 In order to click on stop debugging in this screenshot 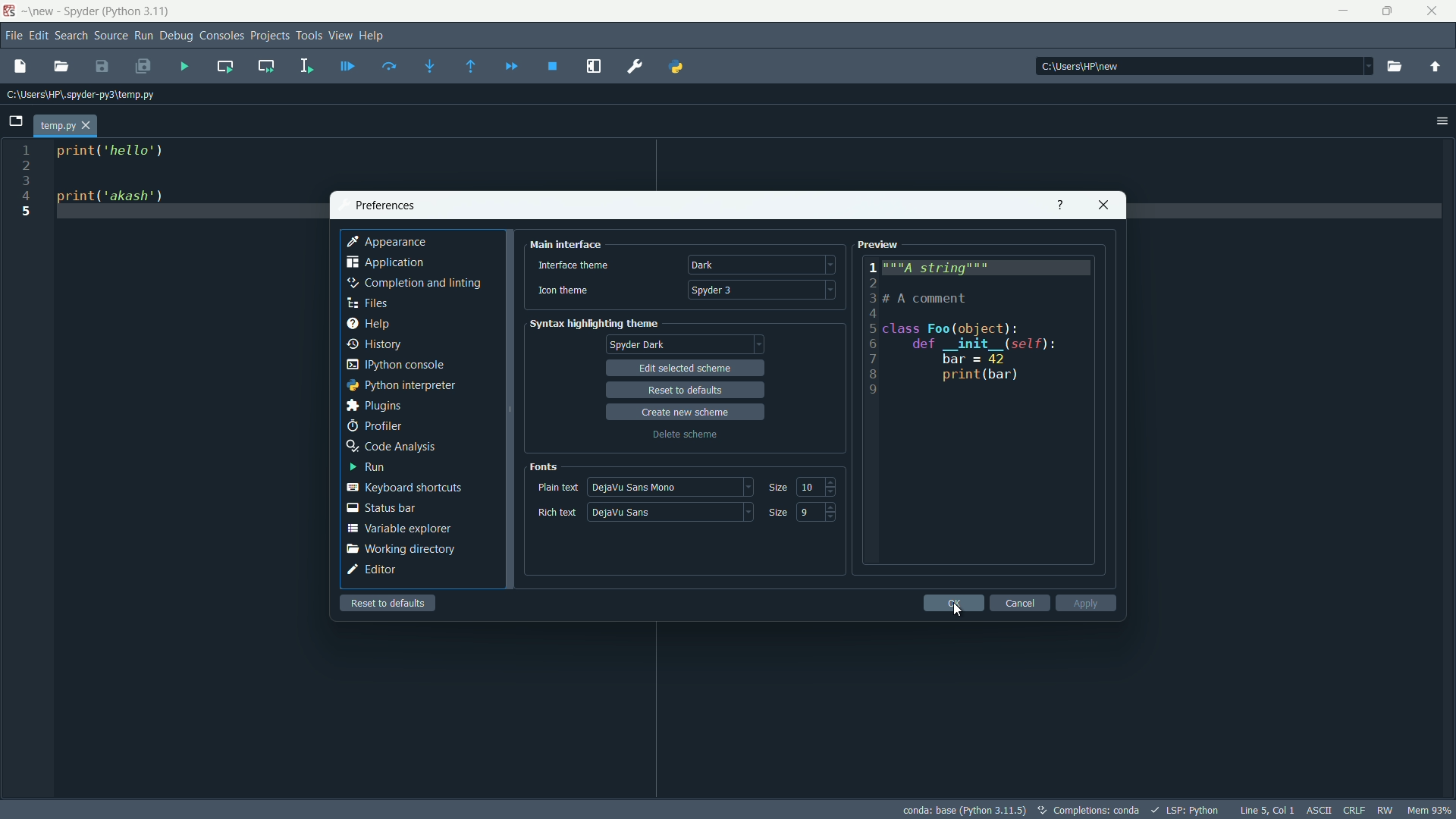, I will do `click(552, 67)`.